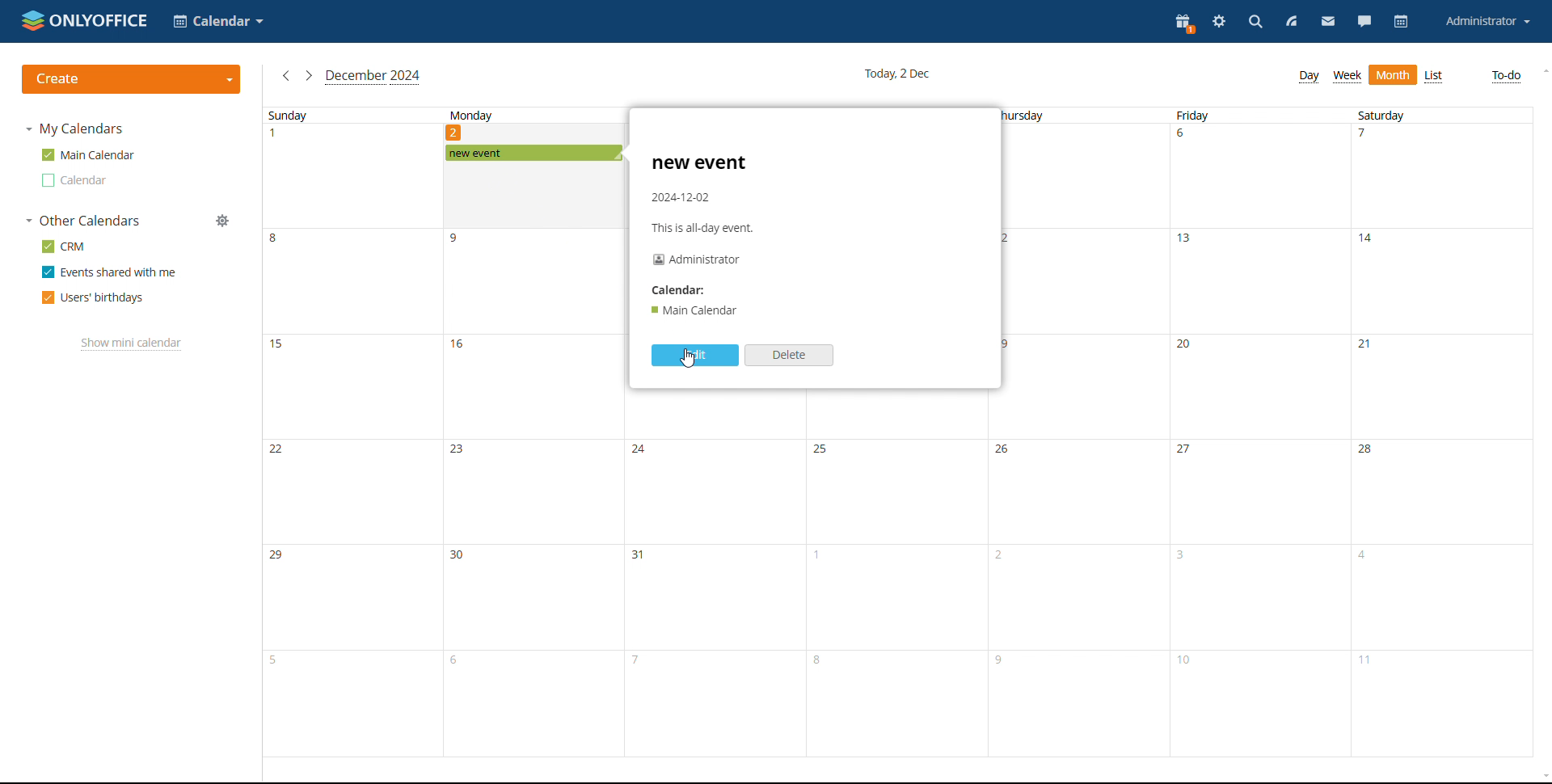  What do you see at coordinates (1488, 23) in the screenshot?
I see `account` at bounding box center [1488, 23].